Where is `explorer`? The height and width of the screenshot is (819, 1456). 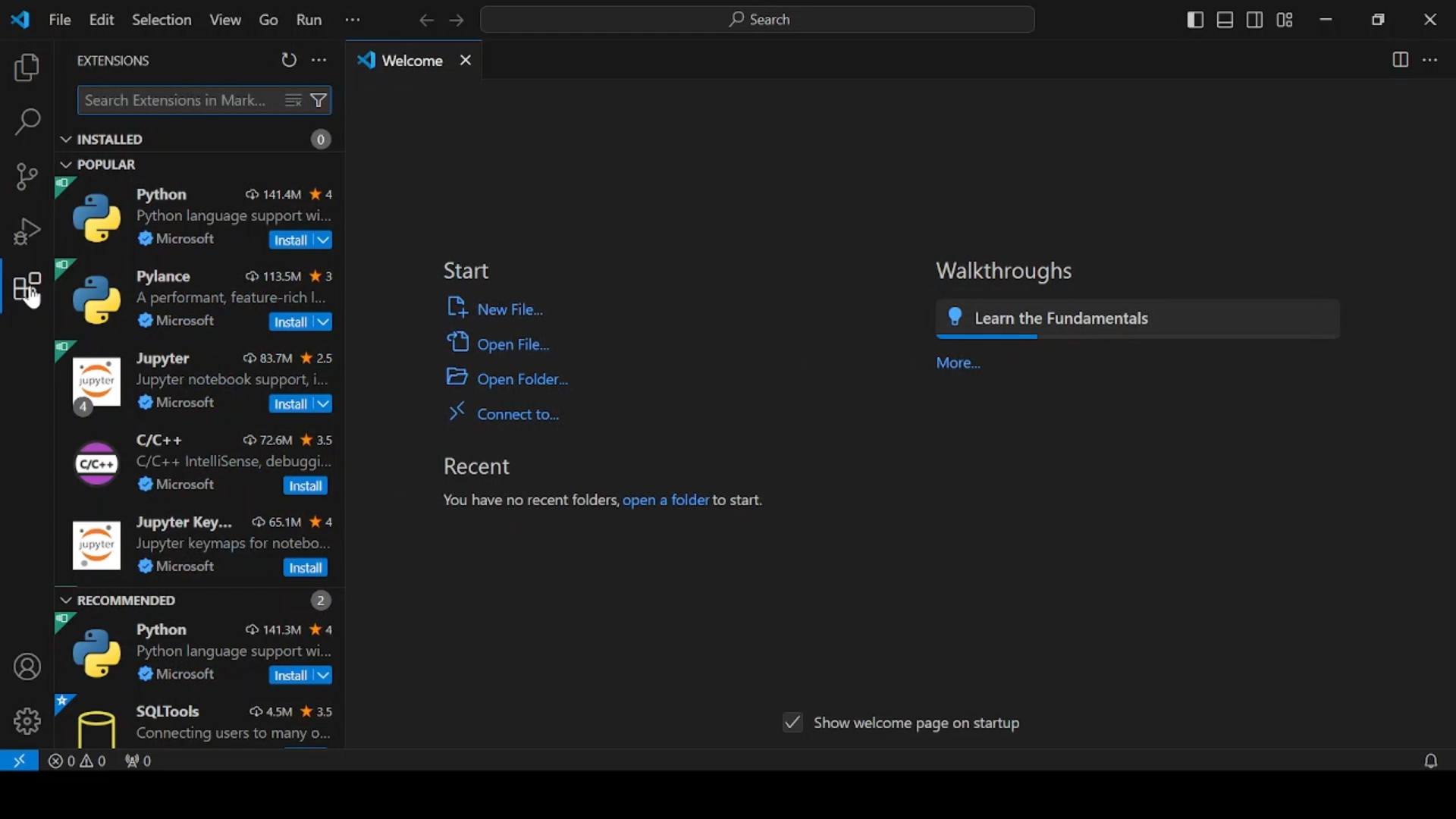 explorer is located at coordinates (27, 68).